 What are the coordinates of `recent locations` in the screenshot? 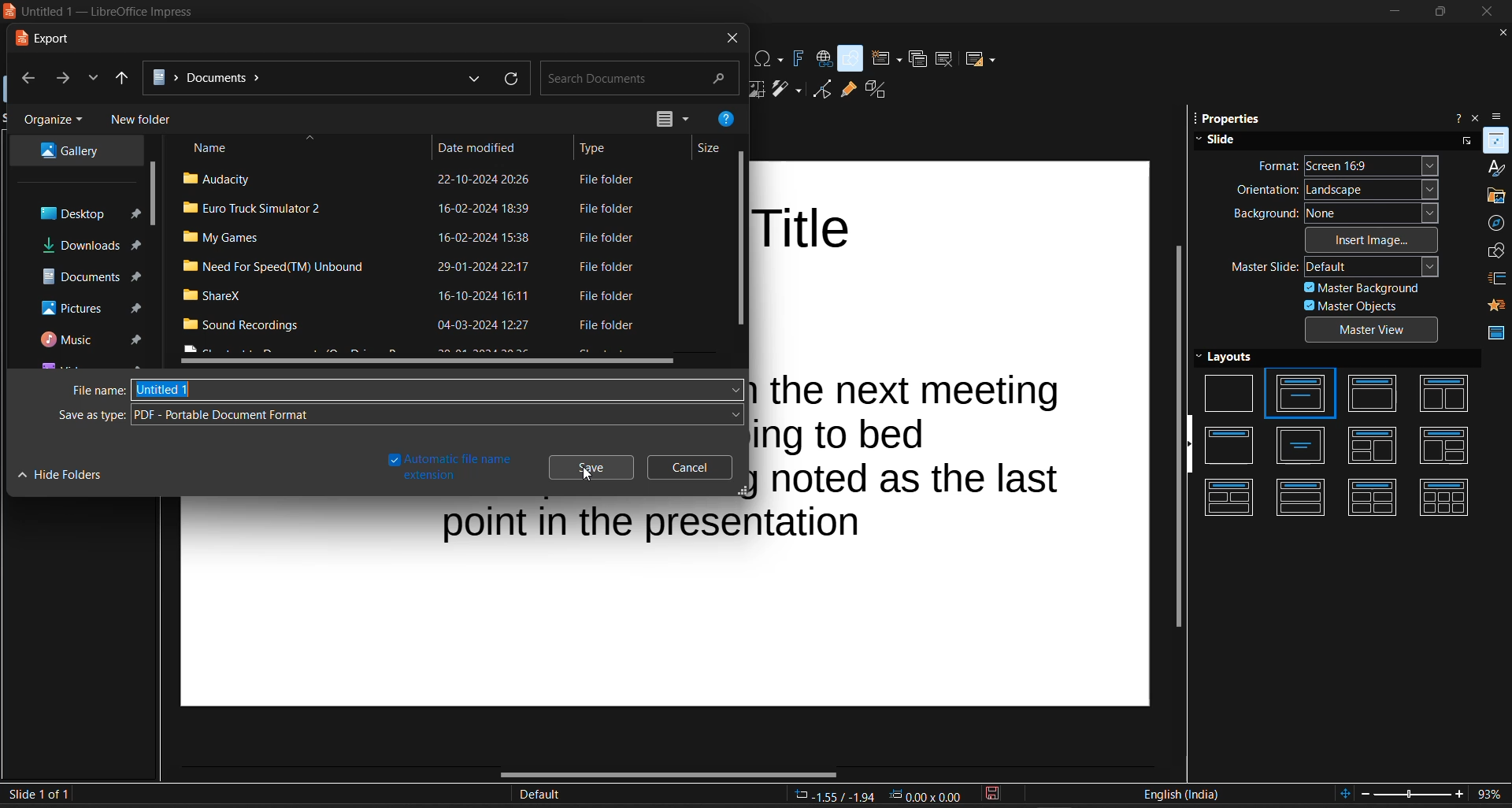 It's located at (93, 80).